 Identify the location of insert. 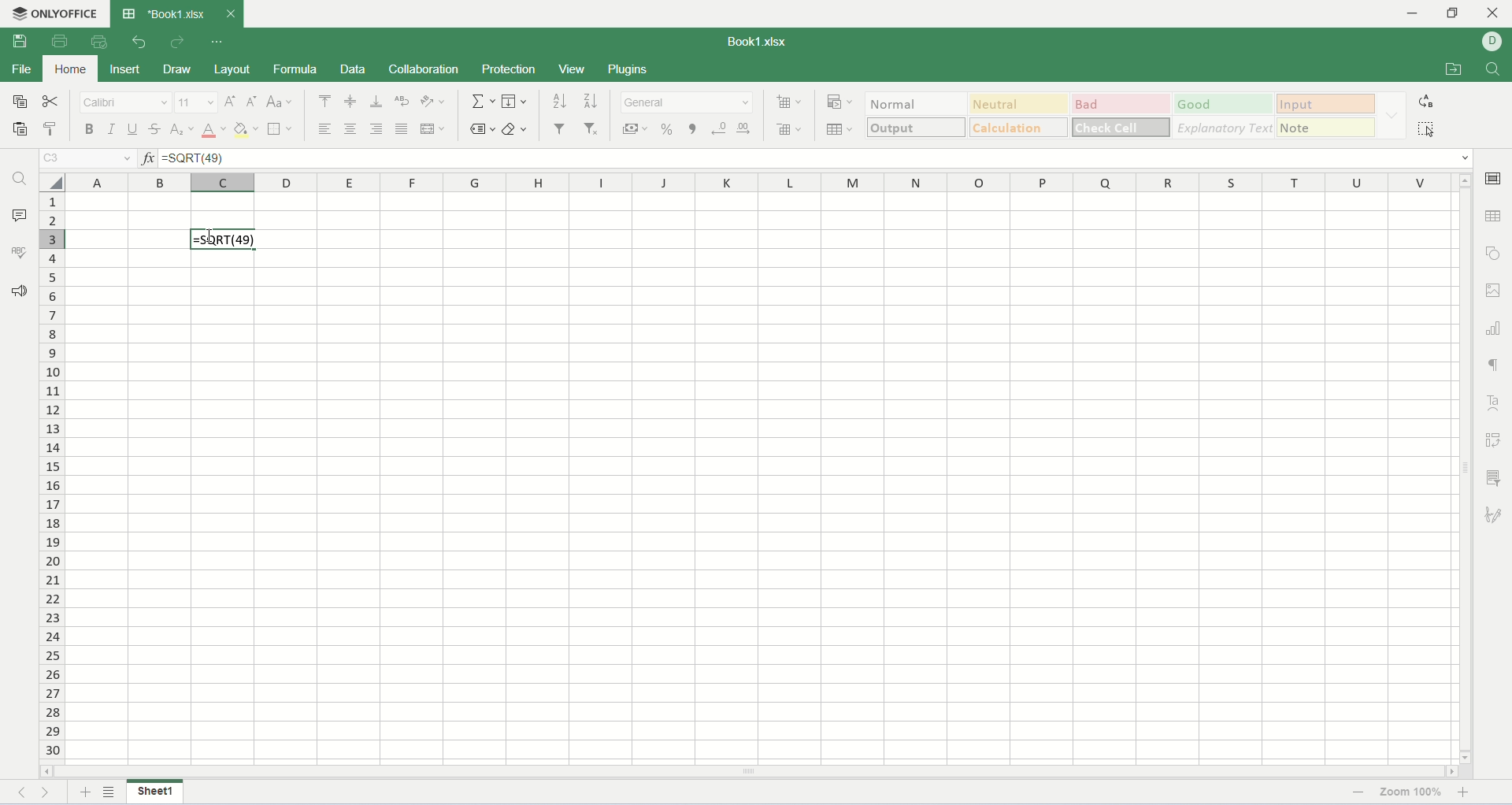
(124, 69).